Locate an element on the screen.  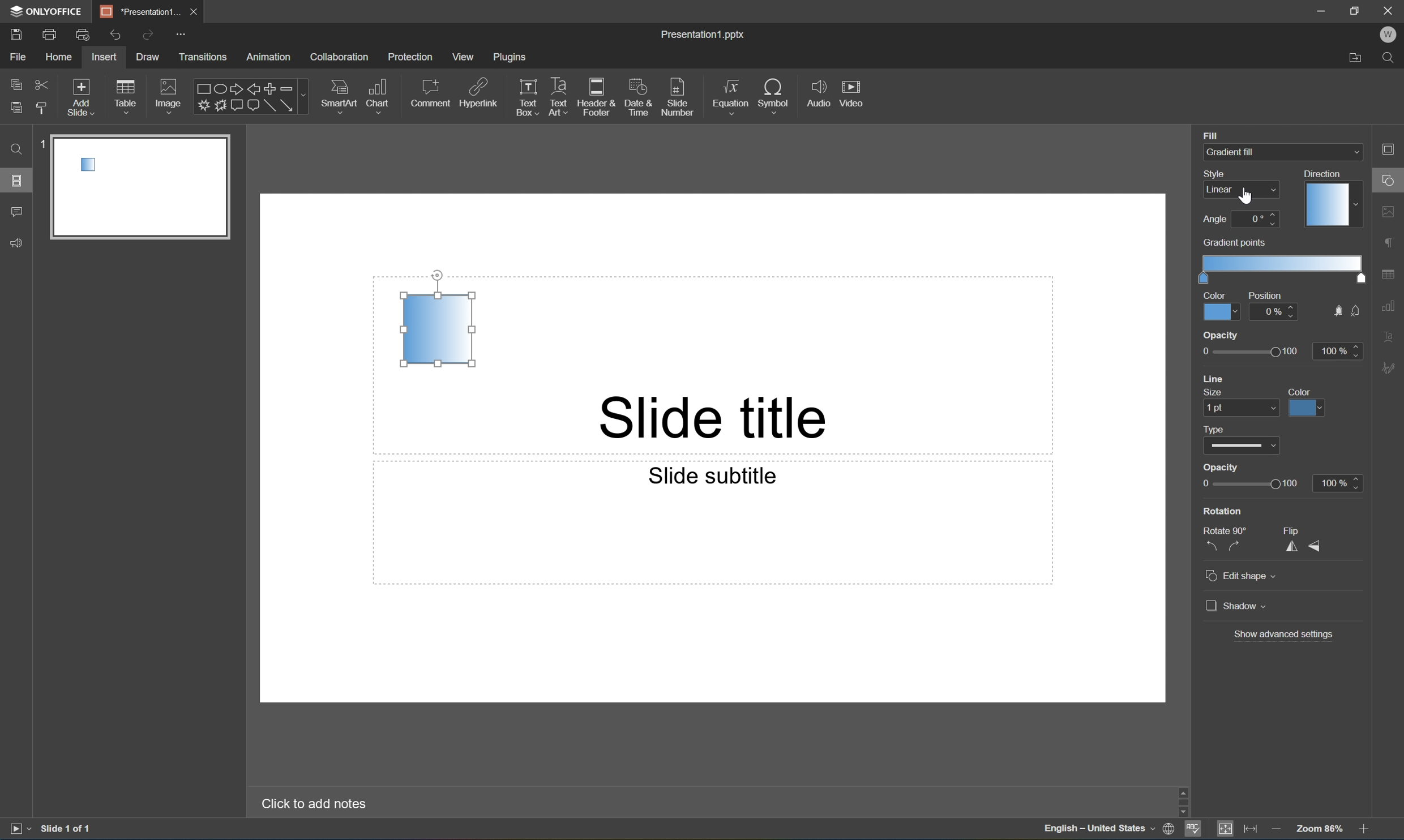
Click to add notes is located at coordinates (318, 804).